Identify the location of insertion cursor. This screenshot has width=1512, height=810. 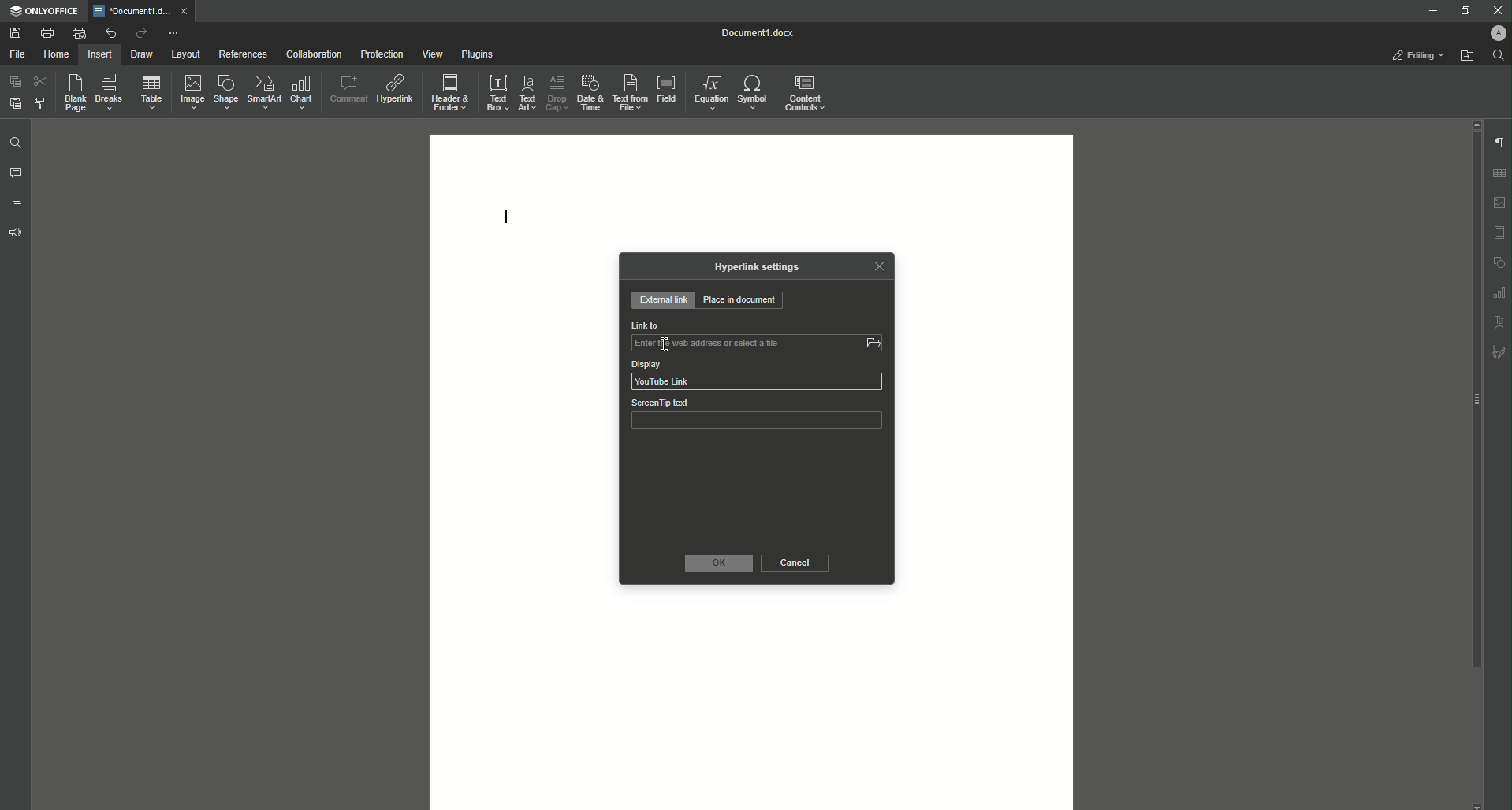
(665, 344).